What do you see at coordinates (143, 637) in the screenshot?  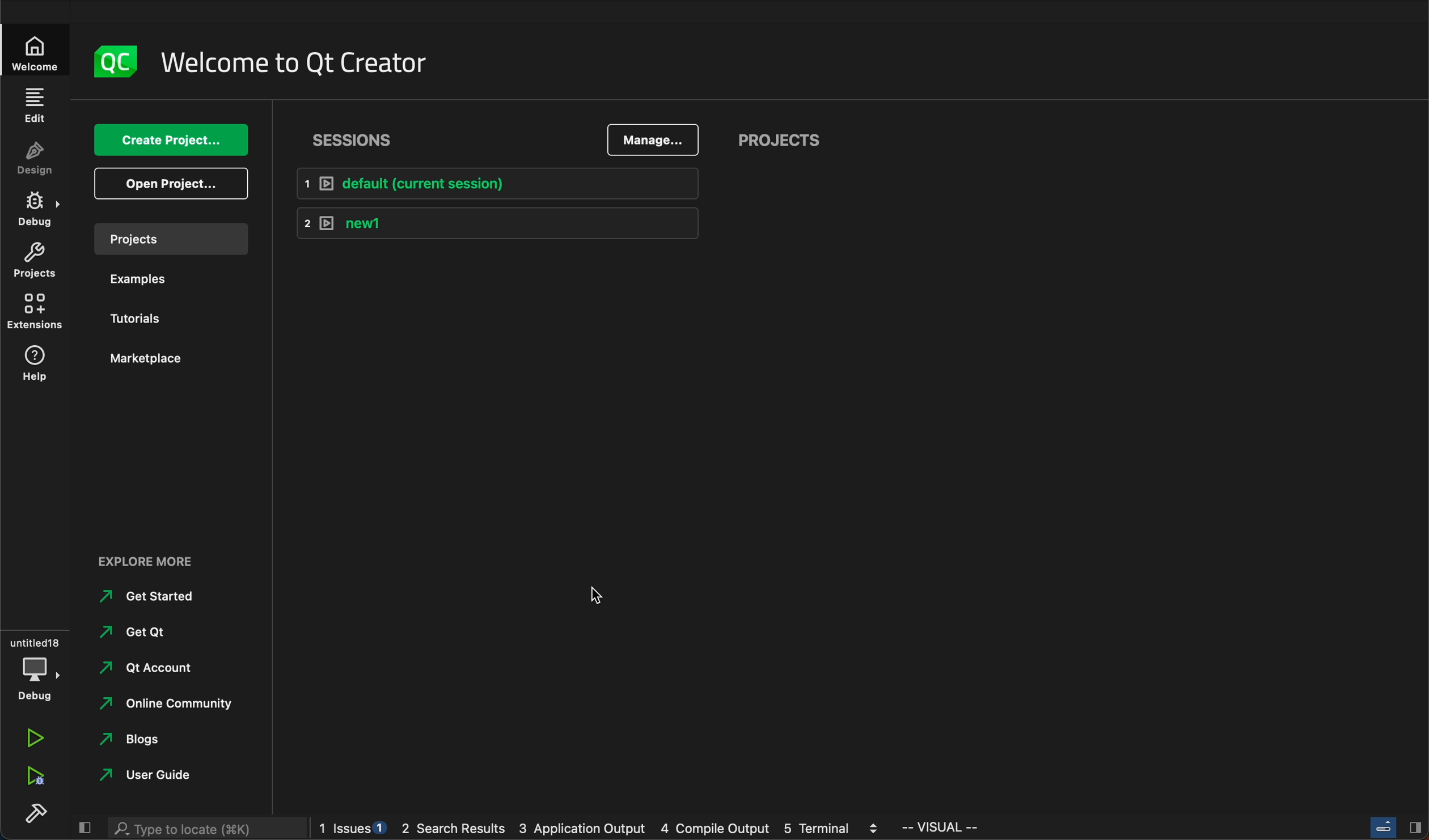 I see `qt` at bounding box center [143, 637].